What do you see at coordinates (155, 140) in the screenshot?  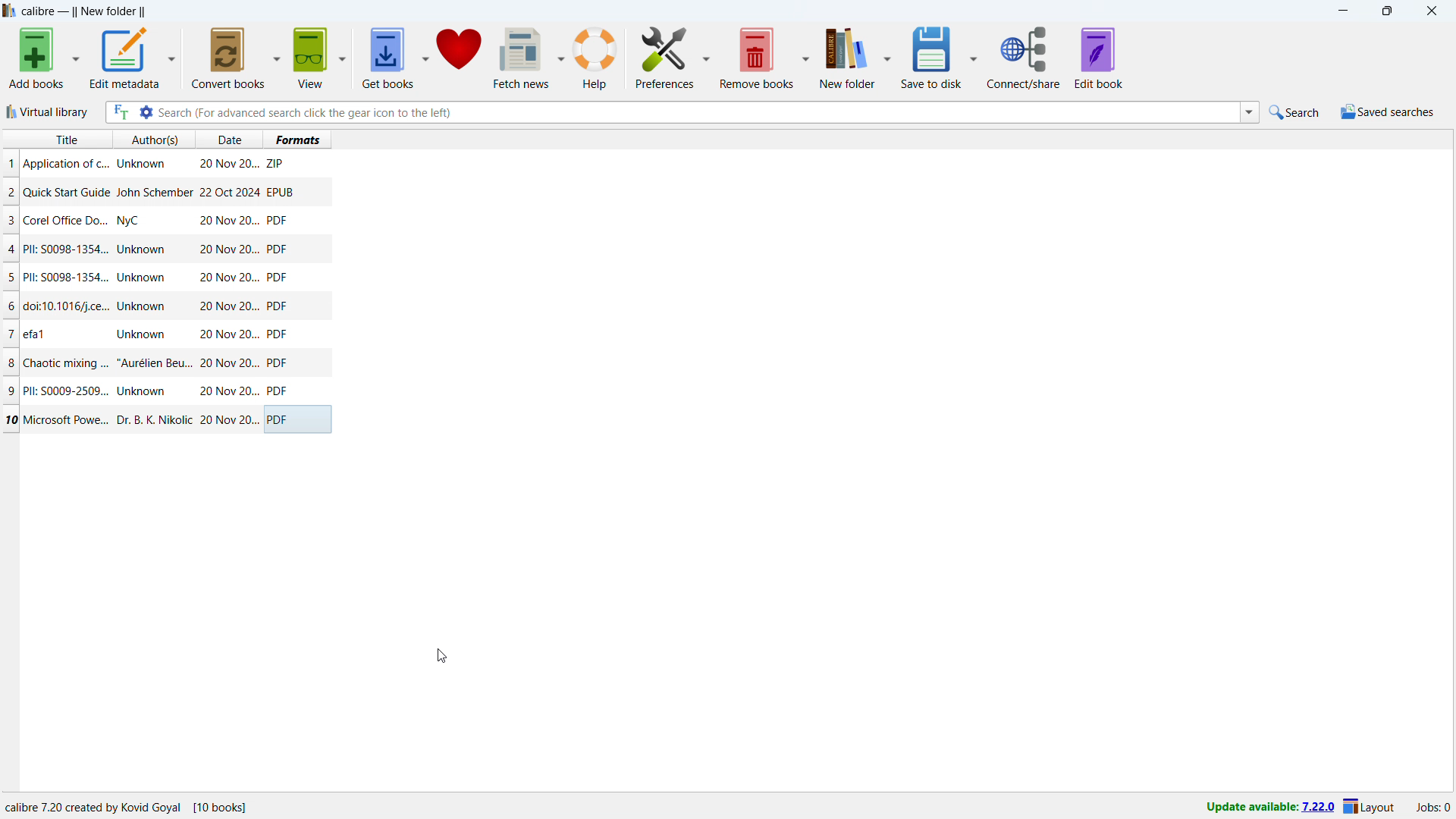 I see `Author(s)` at bounding box center [155, 140].